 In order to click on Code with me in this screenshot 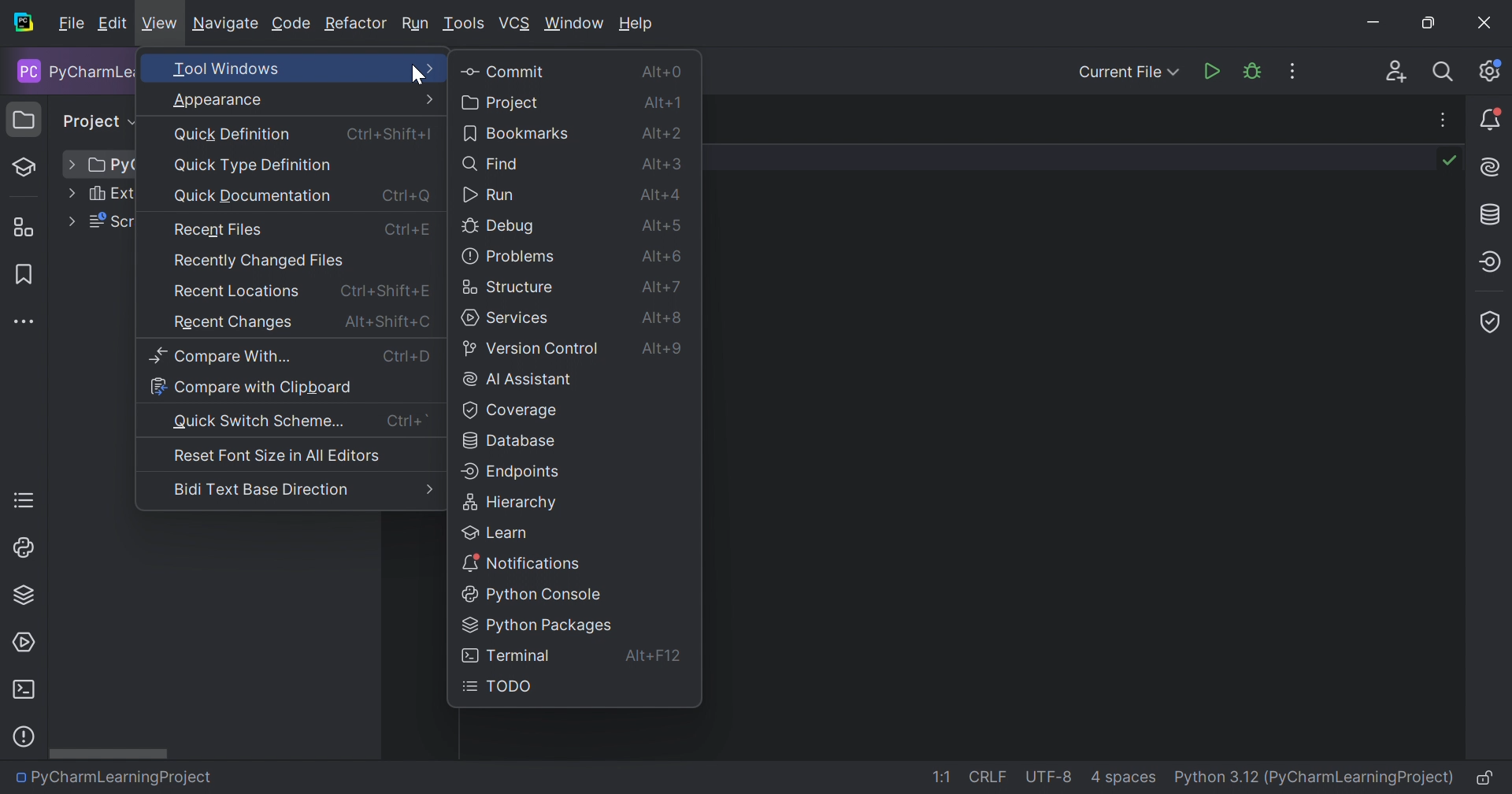, I will do `click(1397, 72)`.